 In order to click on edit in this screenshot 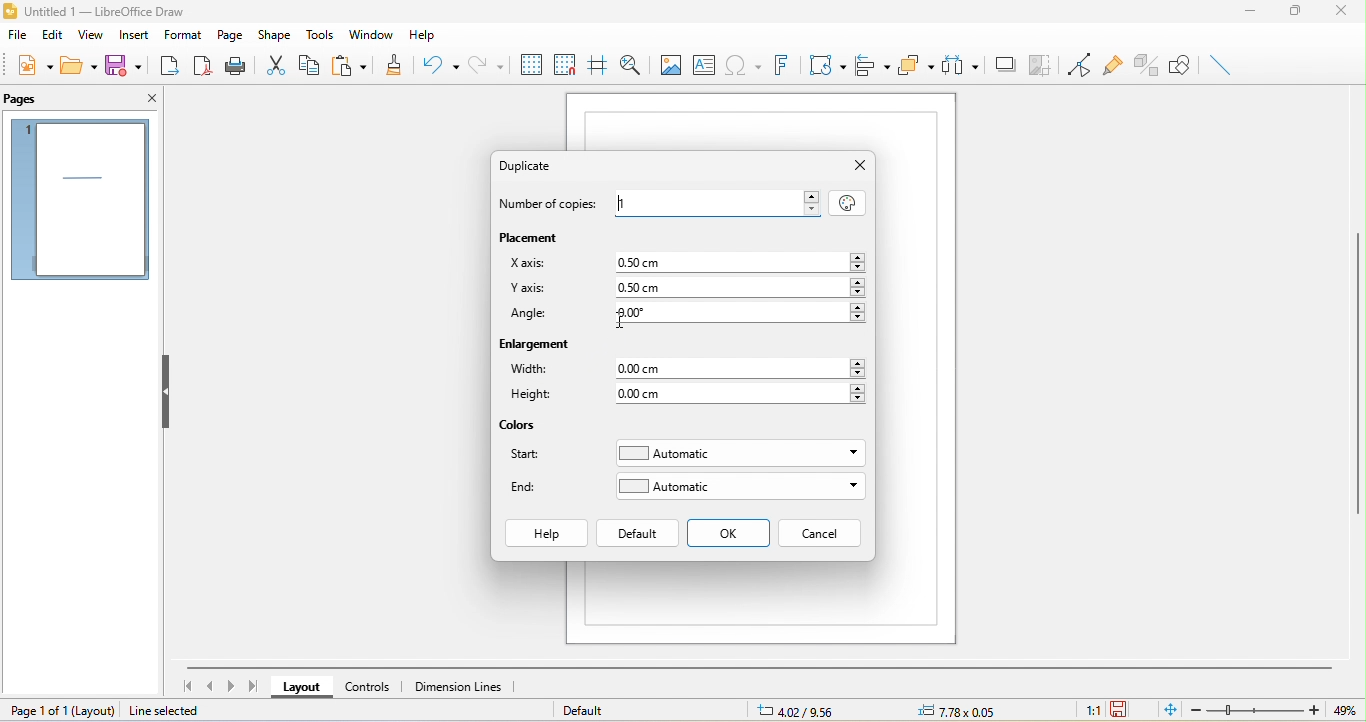, I will do `click(53, 35)`.